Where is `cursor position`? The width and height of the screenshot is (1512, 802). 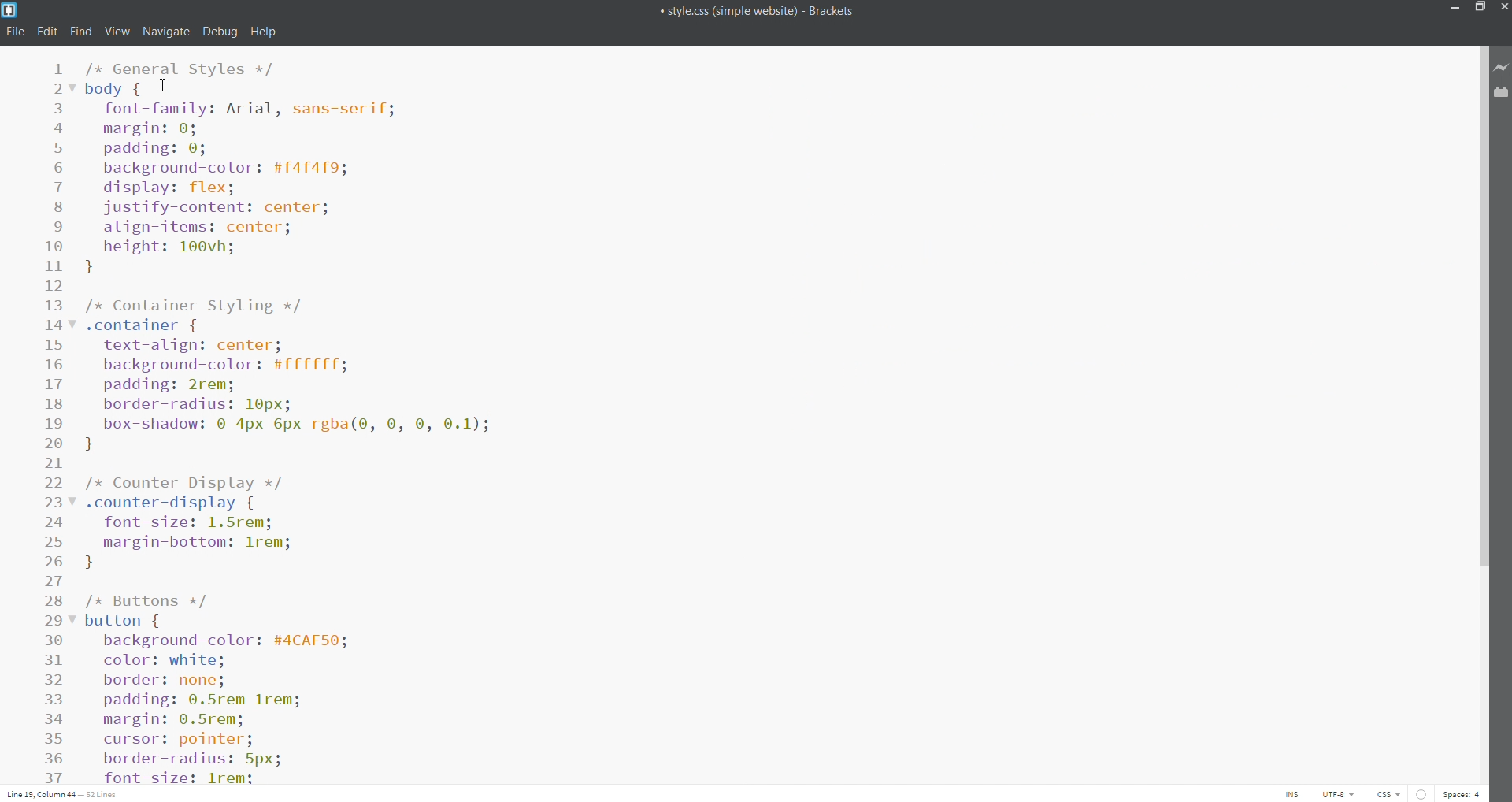
cursor position is located at coordinates (65, 793).